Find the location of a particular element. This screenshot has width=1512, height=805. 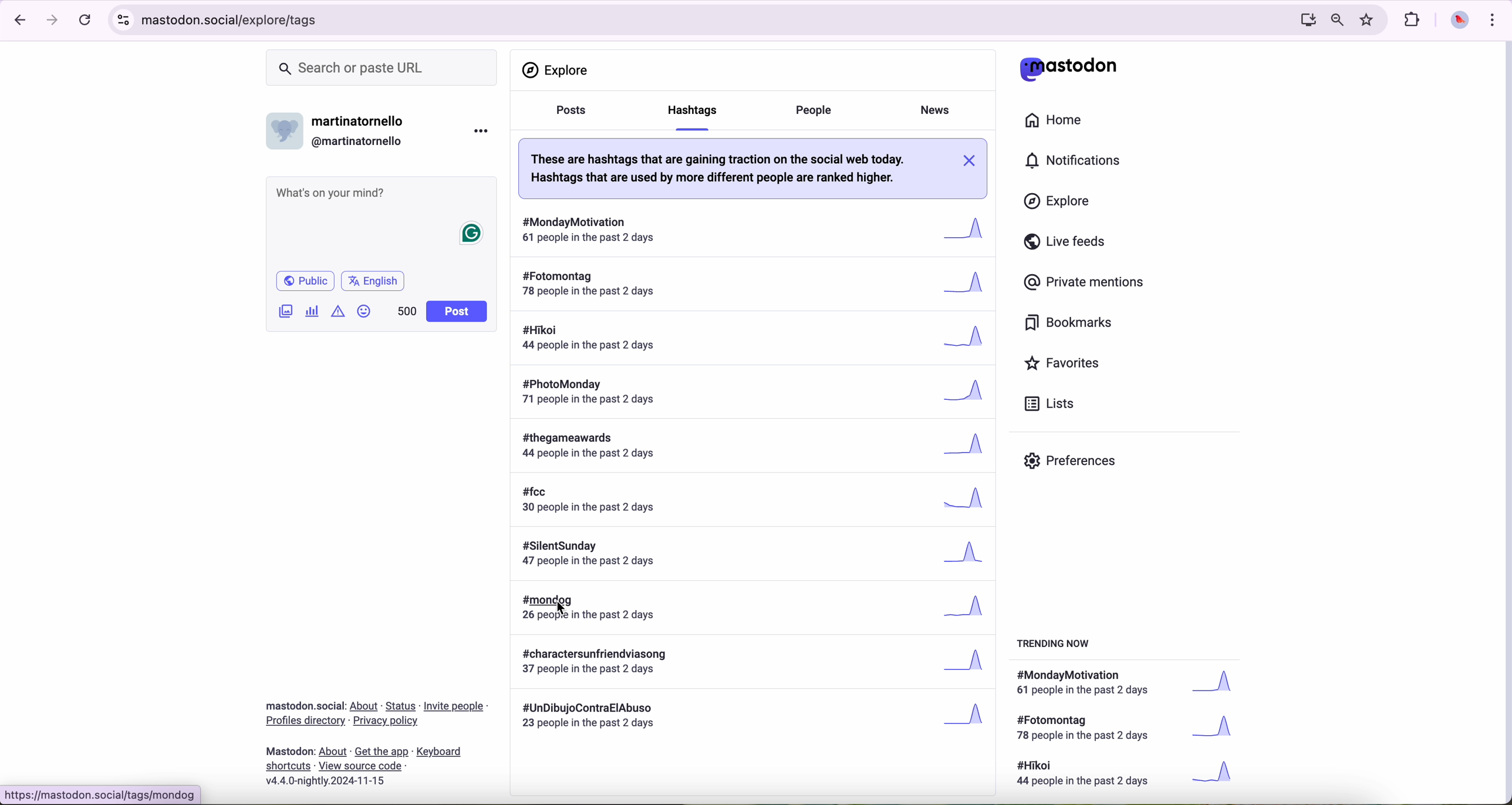

text is located at coordinates (1086, 729).